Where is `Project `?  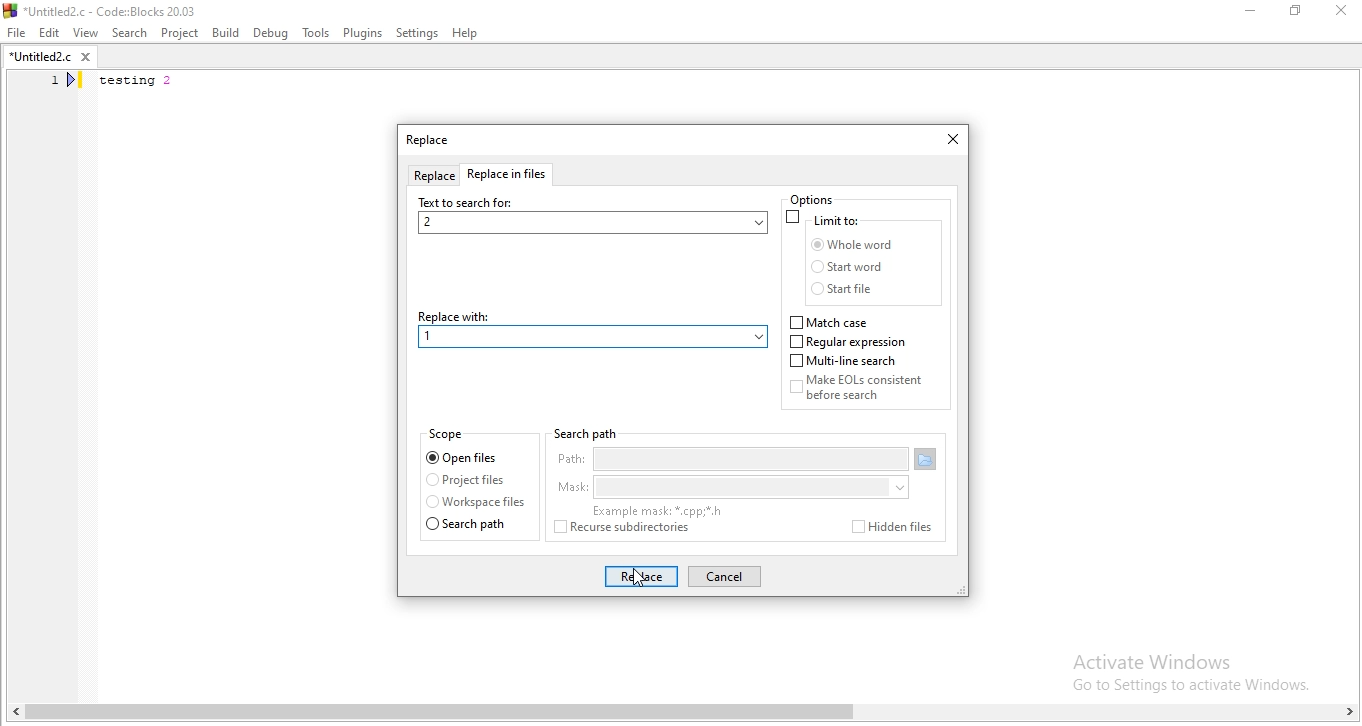 Project  is located at coordinates (181, 32).